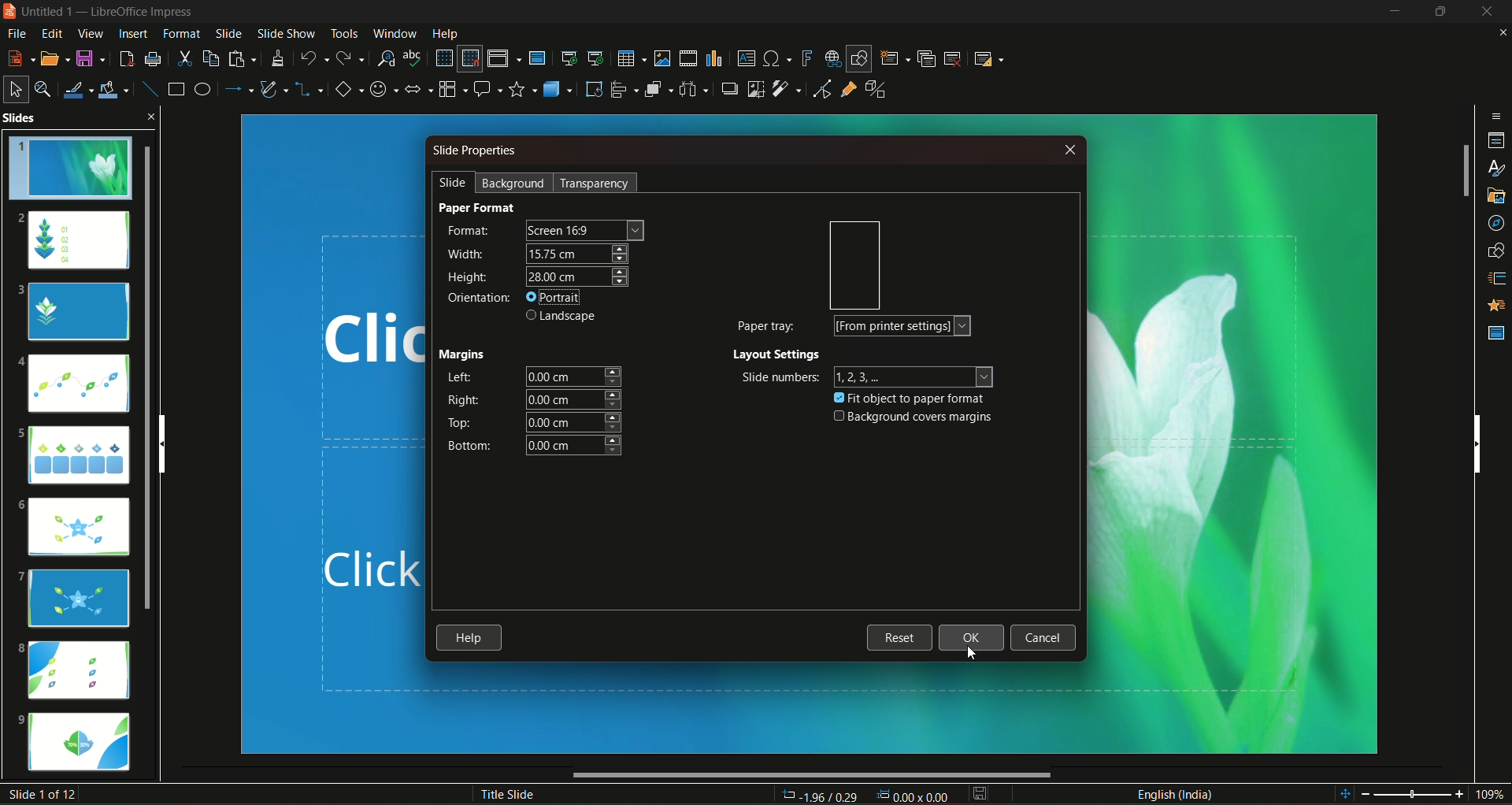 The width and height of the screenshot is (1512, 805). I want to click on find and replace, so click(386, 57).